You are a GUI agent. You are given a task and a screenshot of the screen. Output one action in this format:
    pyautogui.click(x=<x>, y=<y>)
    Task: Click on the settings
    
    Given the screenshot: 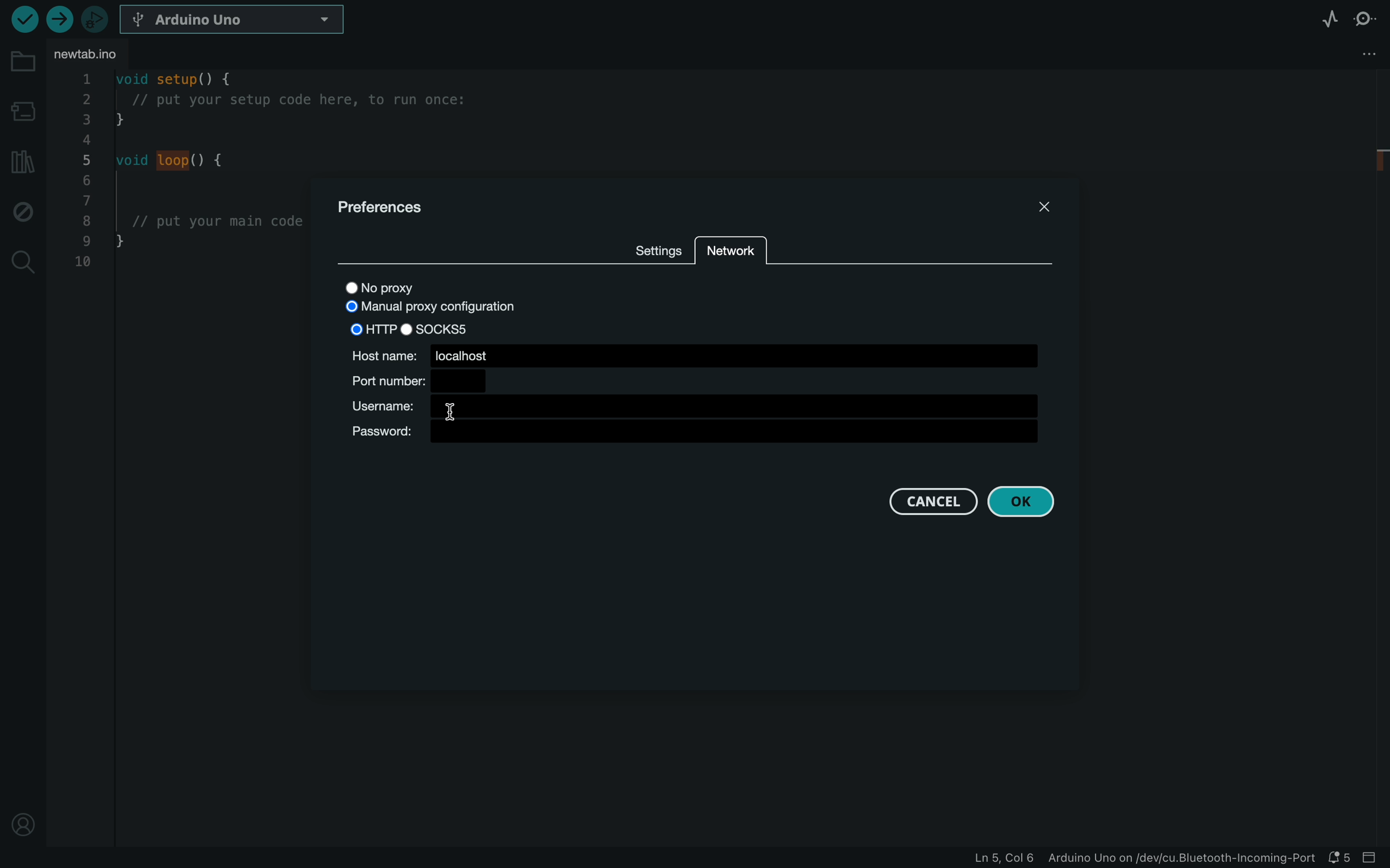 What is the action you would take?
    pyautogui.click(x=657, y=248)
    